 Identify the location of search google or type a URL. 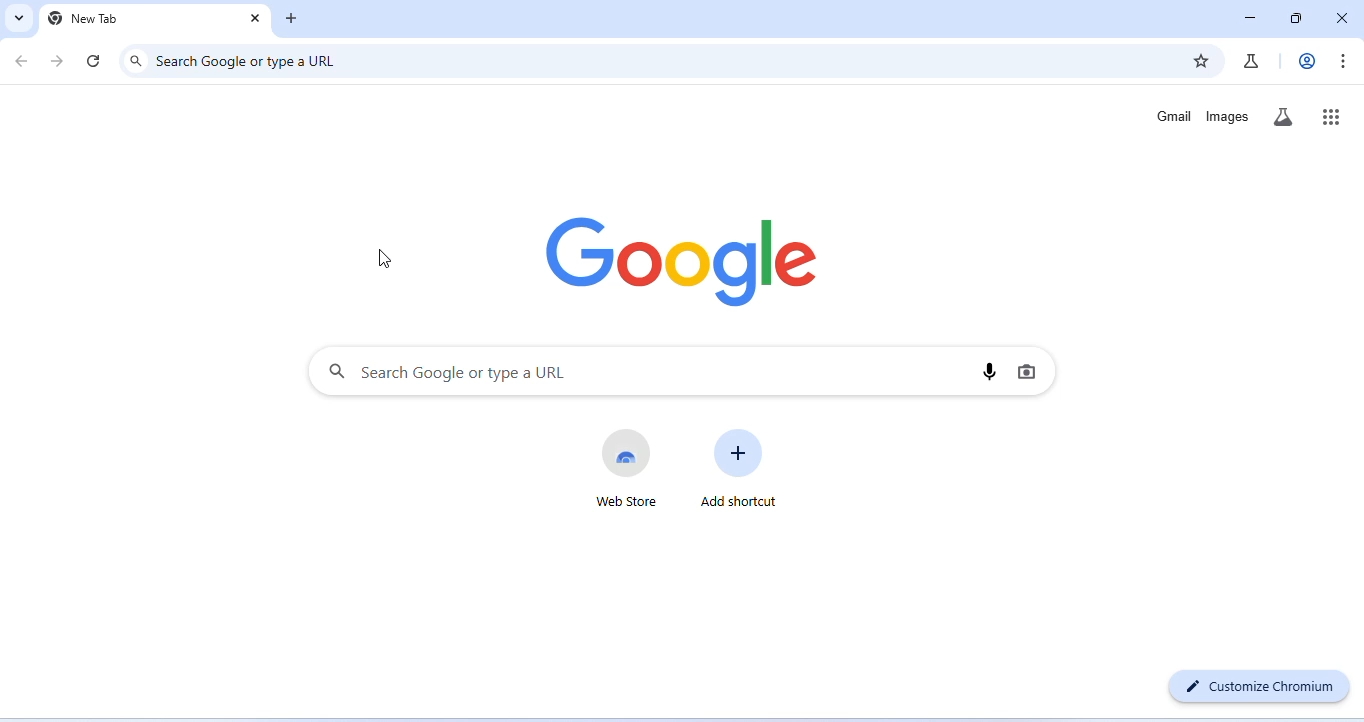
(251, 60).